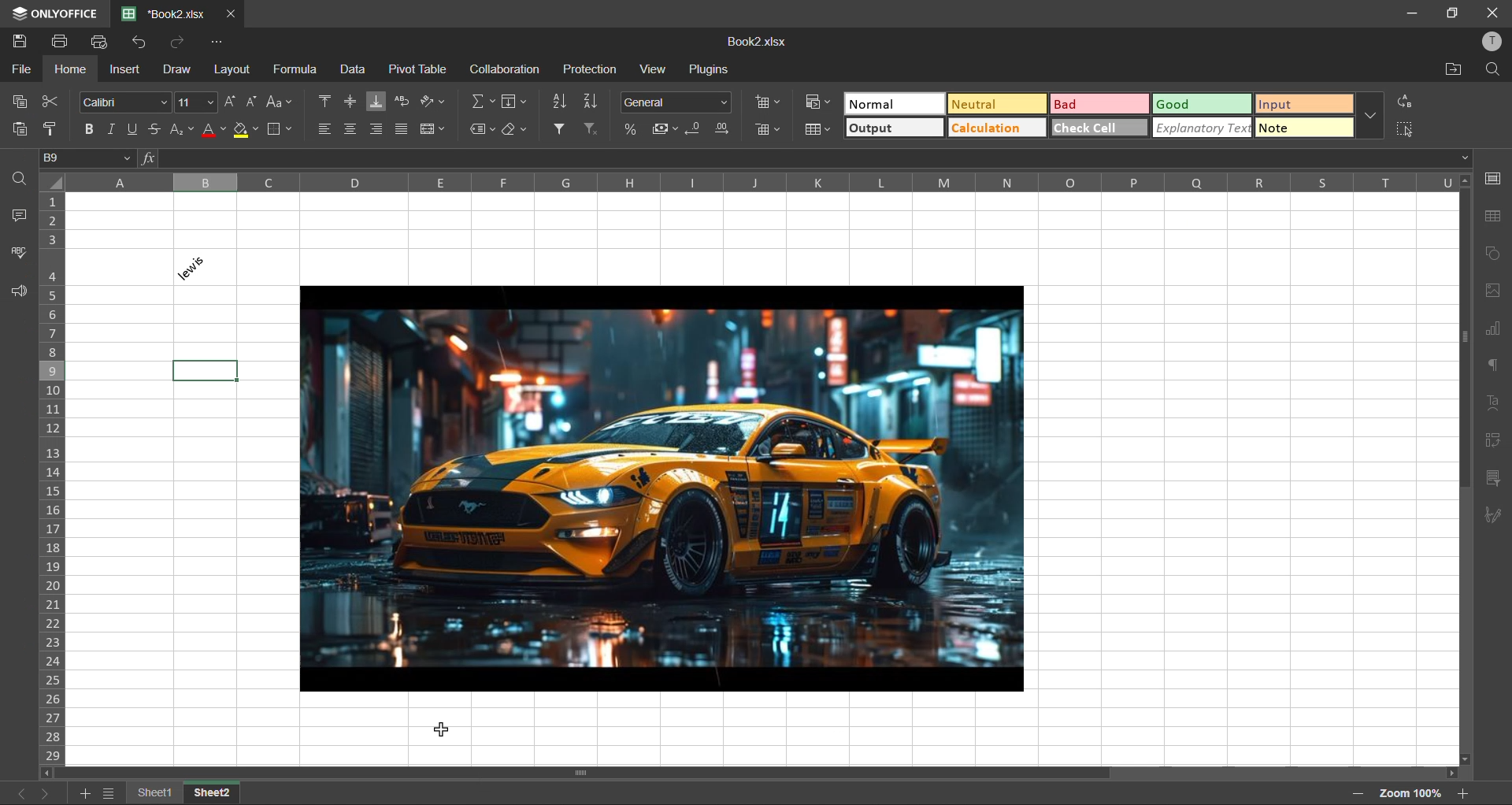  I want to click on align middle, so click(350, 102).